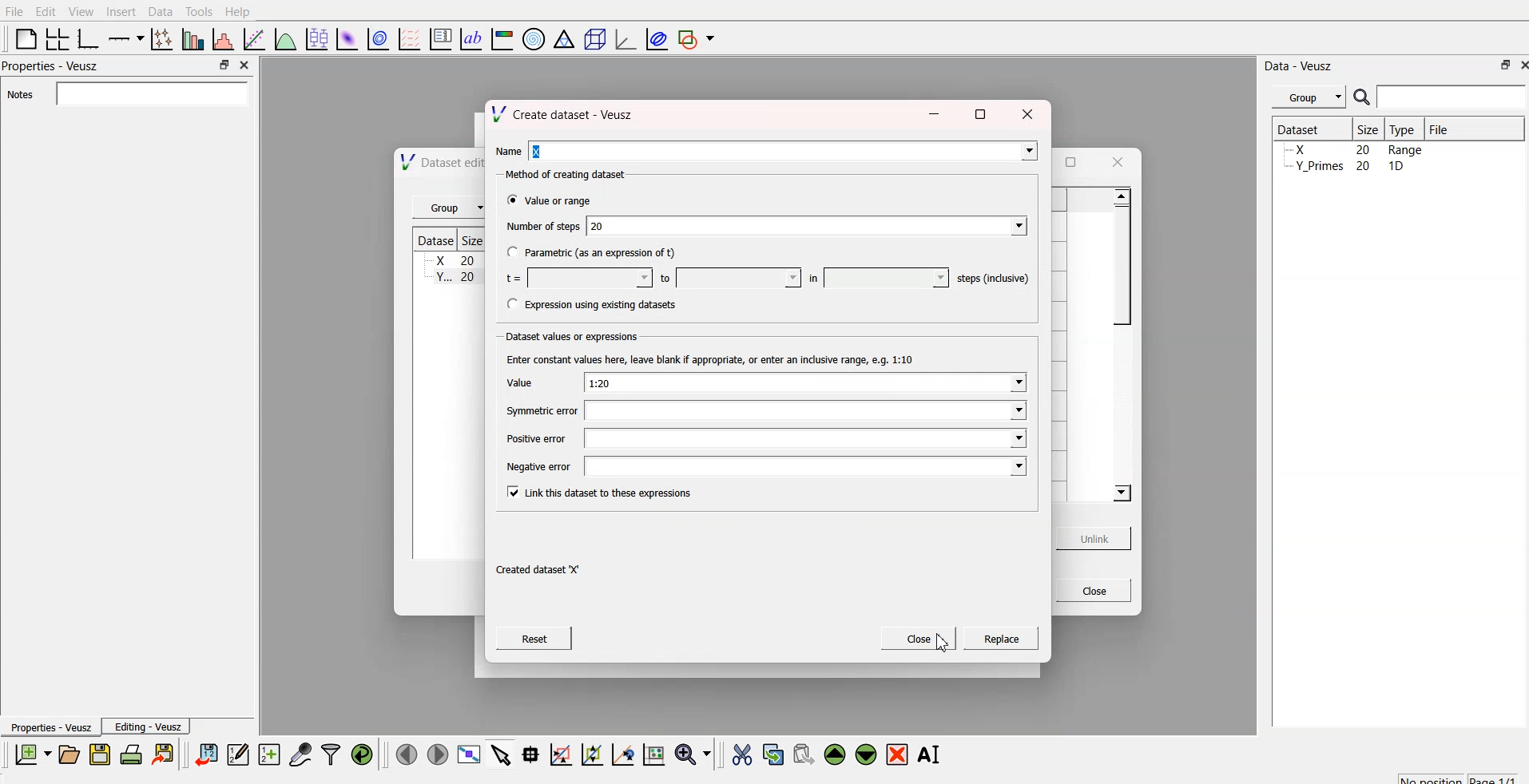 This screenshot has height=784, width=1529. What do you see at coordinates (931, 113) in the screenshot?
I see `minimize` at bounding box center [931, 113].